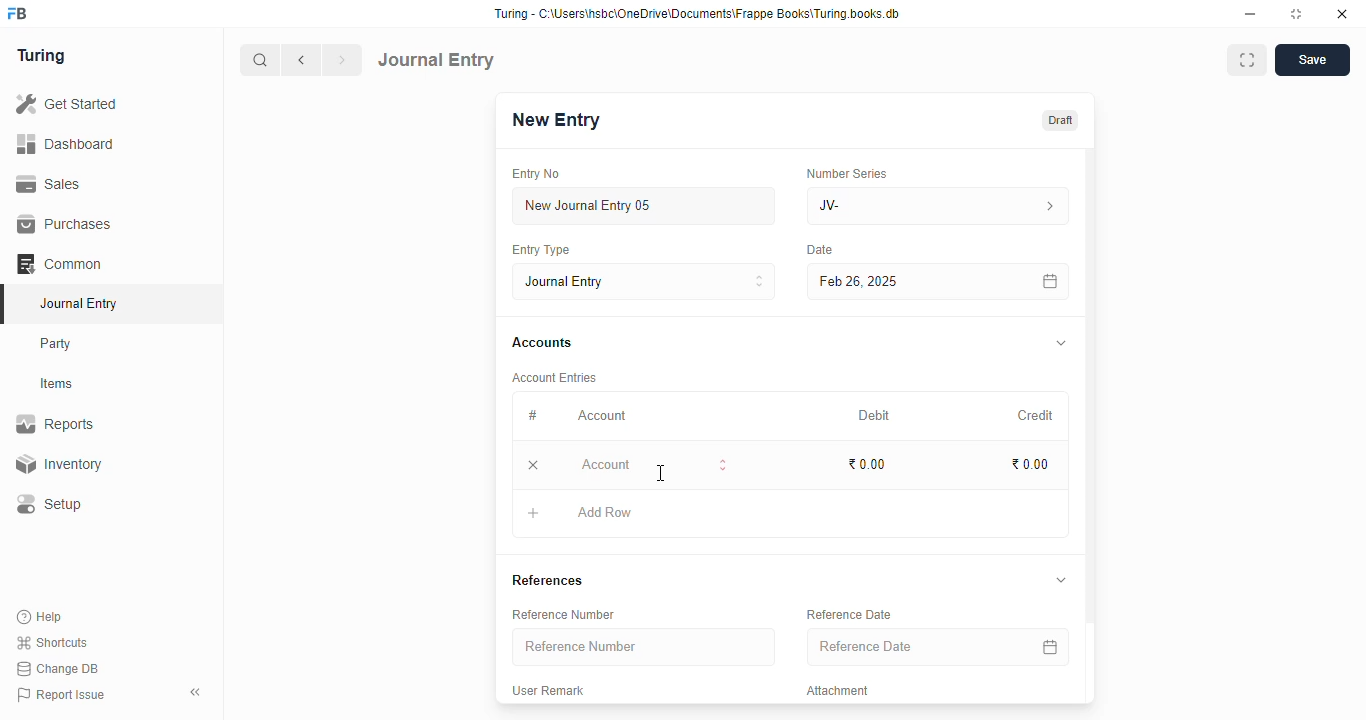 This screenshot has height=720, width=1366. What do you see at coordinates (537, 174) in the screenshot?
I see `entry no` at bounding box center [537, 174].